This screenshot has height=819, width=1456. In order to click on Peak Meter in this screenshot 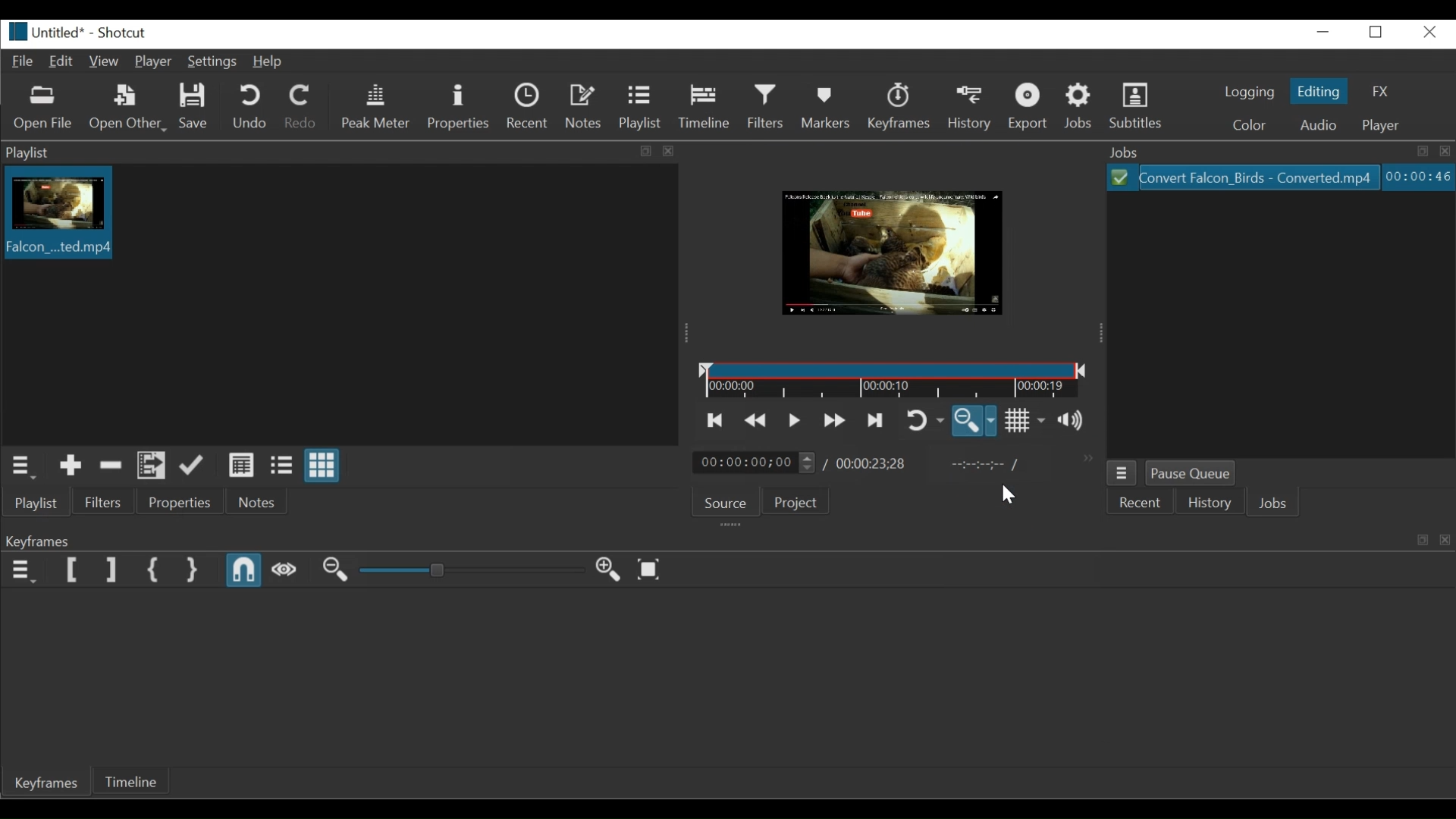, I will do `click(375, 107)`.